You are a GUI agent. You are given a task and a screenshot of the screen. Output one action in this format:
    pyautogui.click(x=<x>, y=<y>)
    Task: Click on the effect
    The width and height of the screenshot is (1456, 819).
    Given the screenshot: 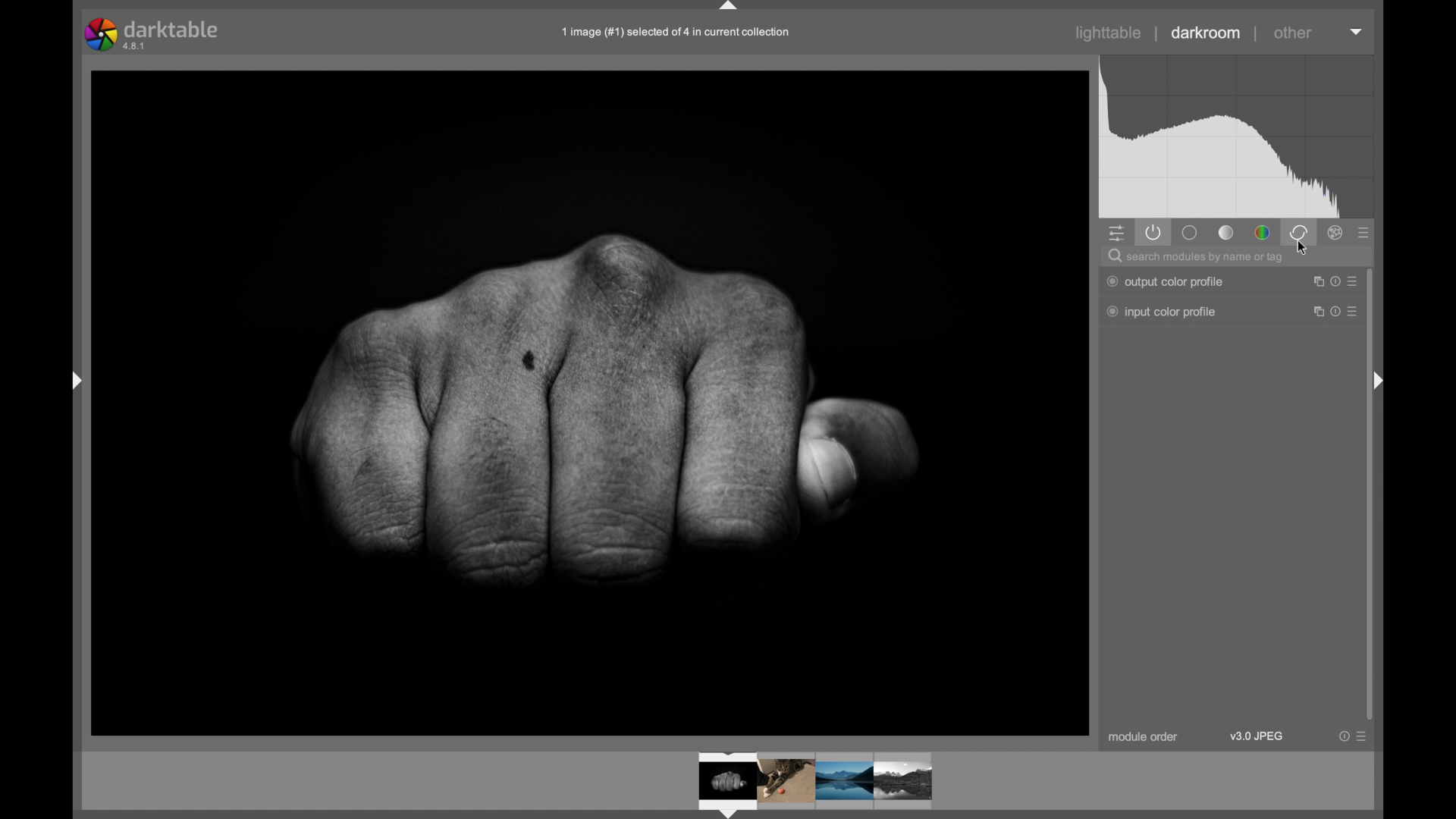 What is the action you would take?
    pyautogui.click(x=1336, y=233)
    